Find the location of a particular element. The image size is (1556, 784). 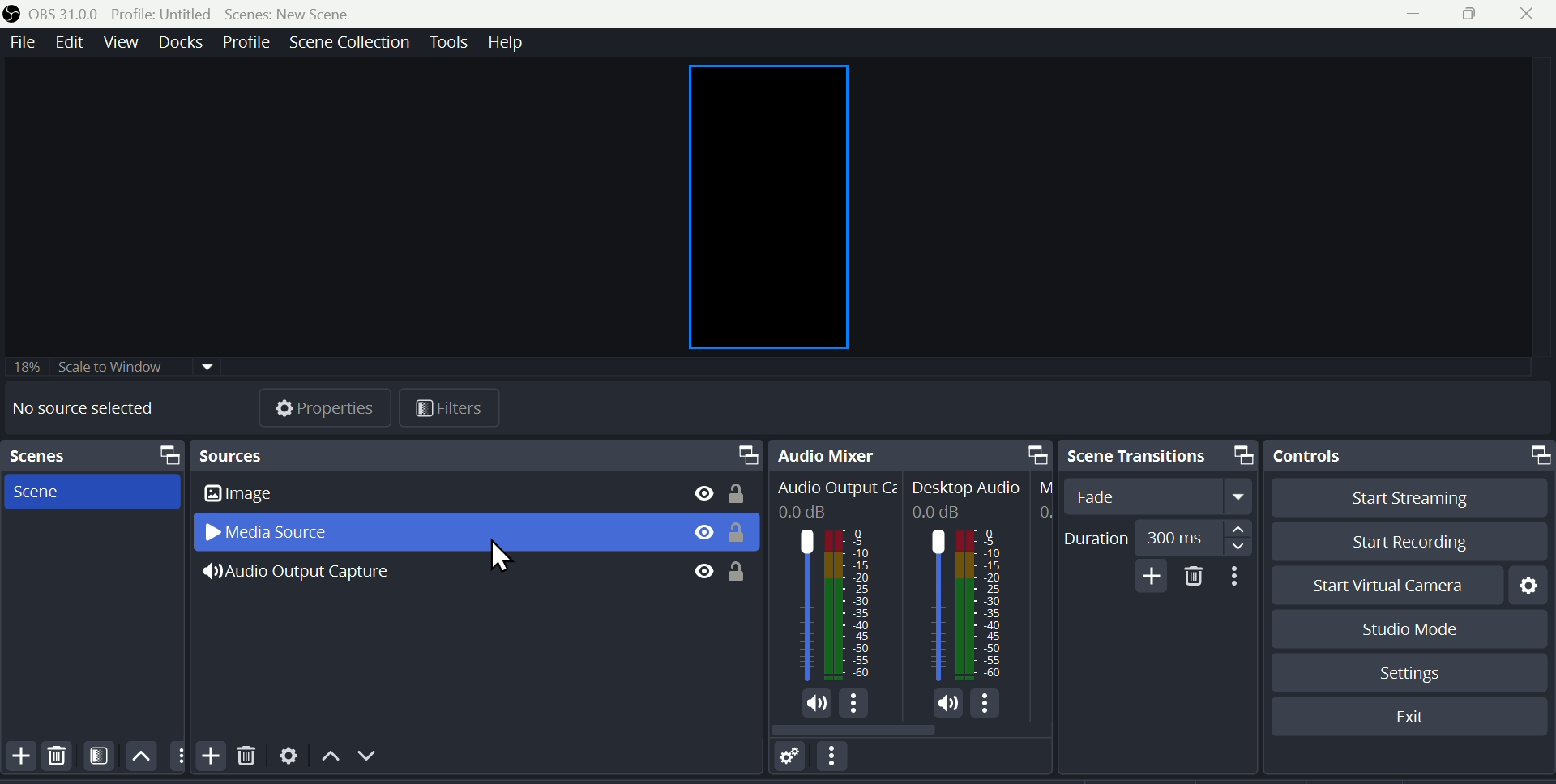

Visibility is located at coordinates (703, 571).